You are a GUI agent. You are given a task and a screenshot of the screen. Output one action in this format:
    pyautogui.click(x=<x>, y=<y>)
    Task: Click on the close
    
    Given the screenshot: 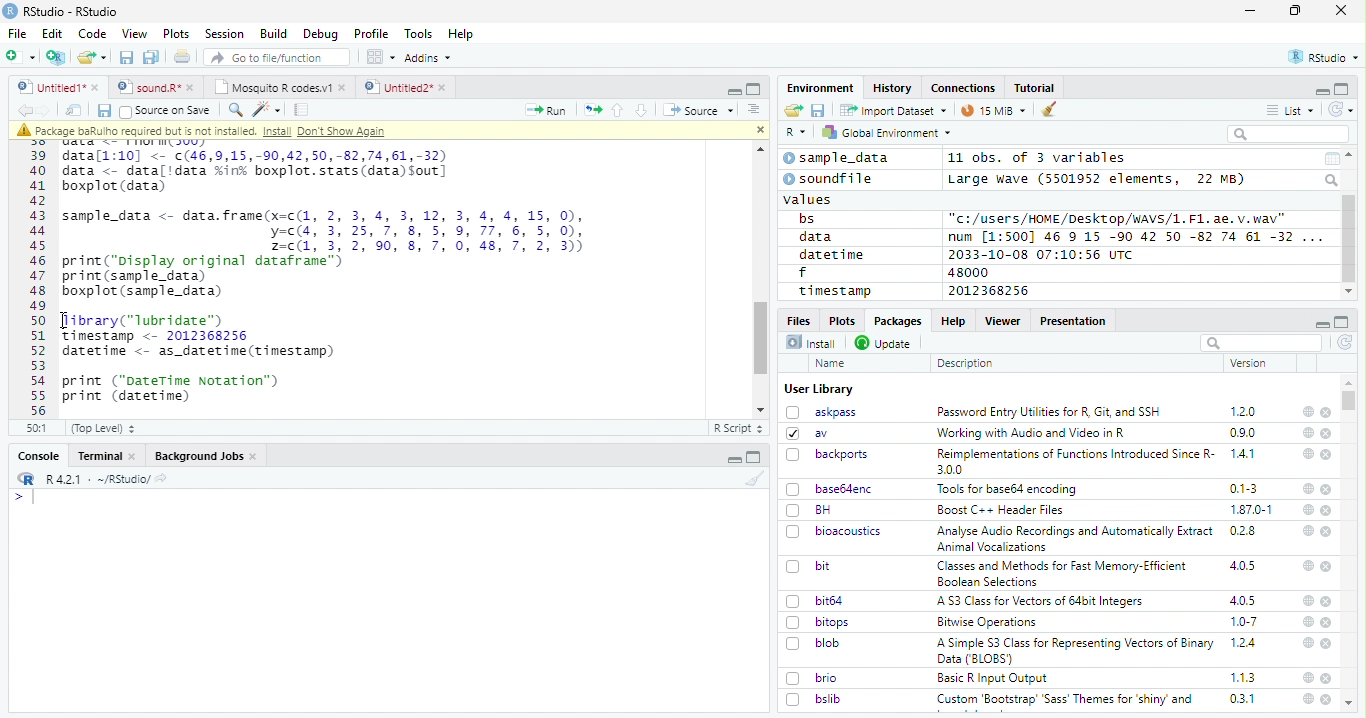 What is the action you would take?
    pyautogui.click(x=1327, y=434)
    